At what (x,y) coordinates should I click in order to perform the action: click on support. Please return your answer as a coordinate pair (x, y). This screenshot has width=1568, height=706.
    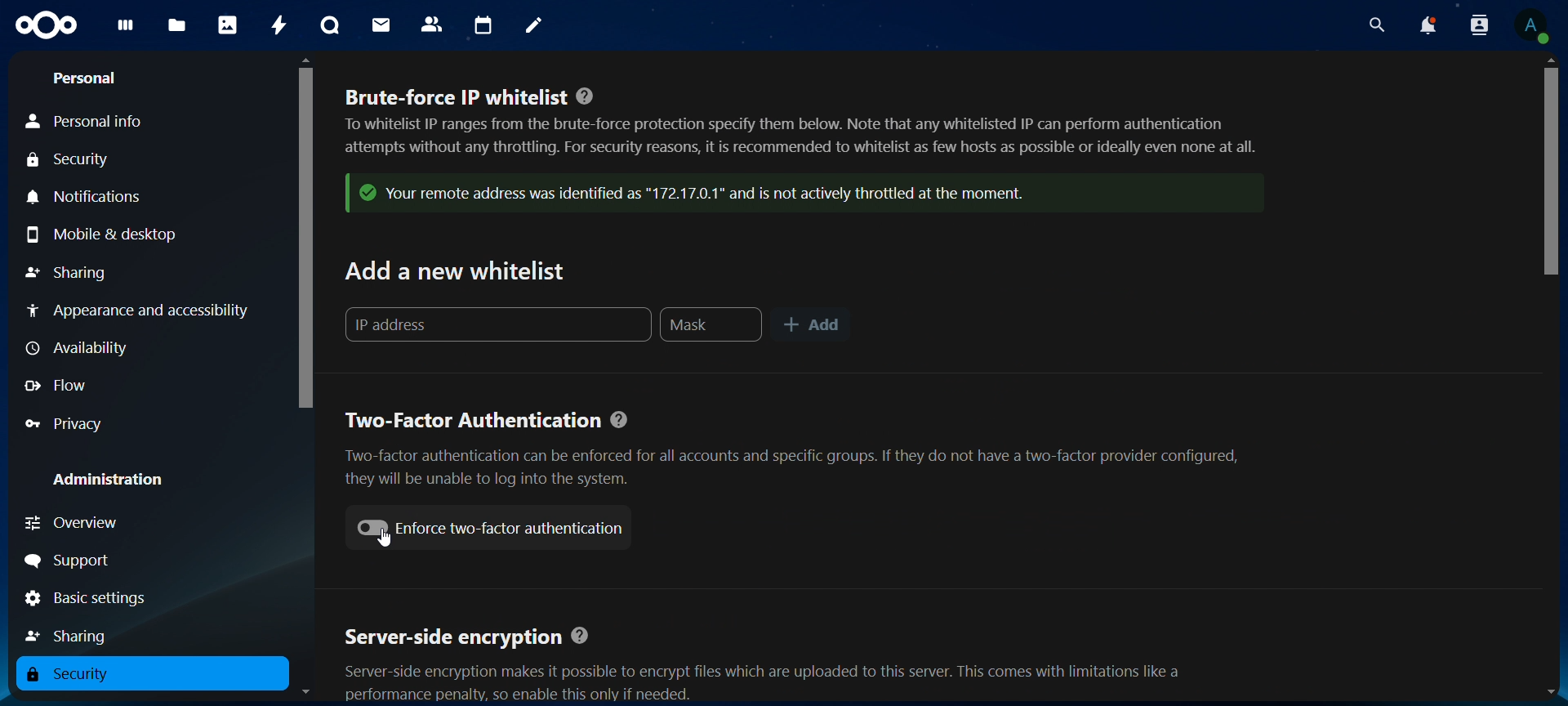
    Looking at the image, I should click on (71, 561).